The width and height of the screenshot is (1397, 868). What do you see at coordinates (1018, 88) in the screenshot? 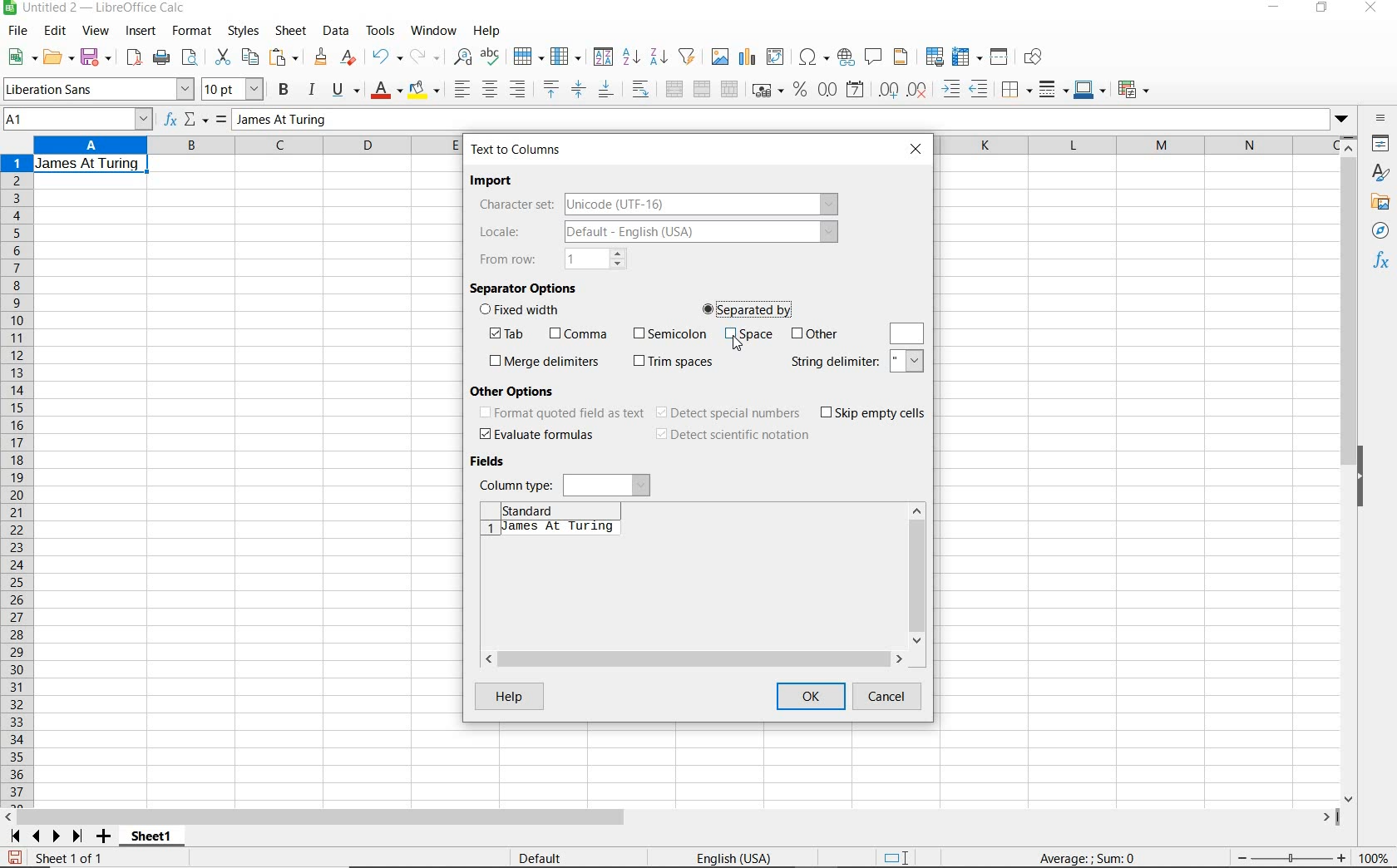
I see `border style` at bounding box center [1018, 88].